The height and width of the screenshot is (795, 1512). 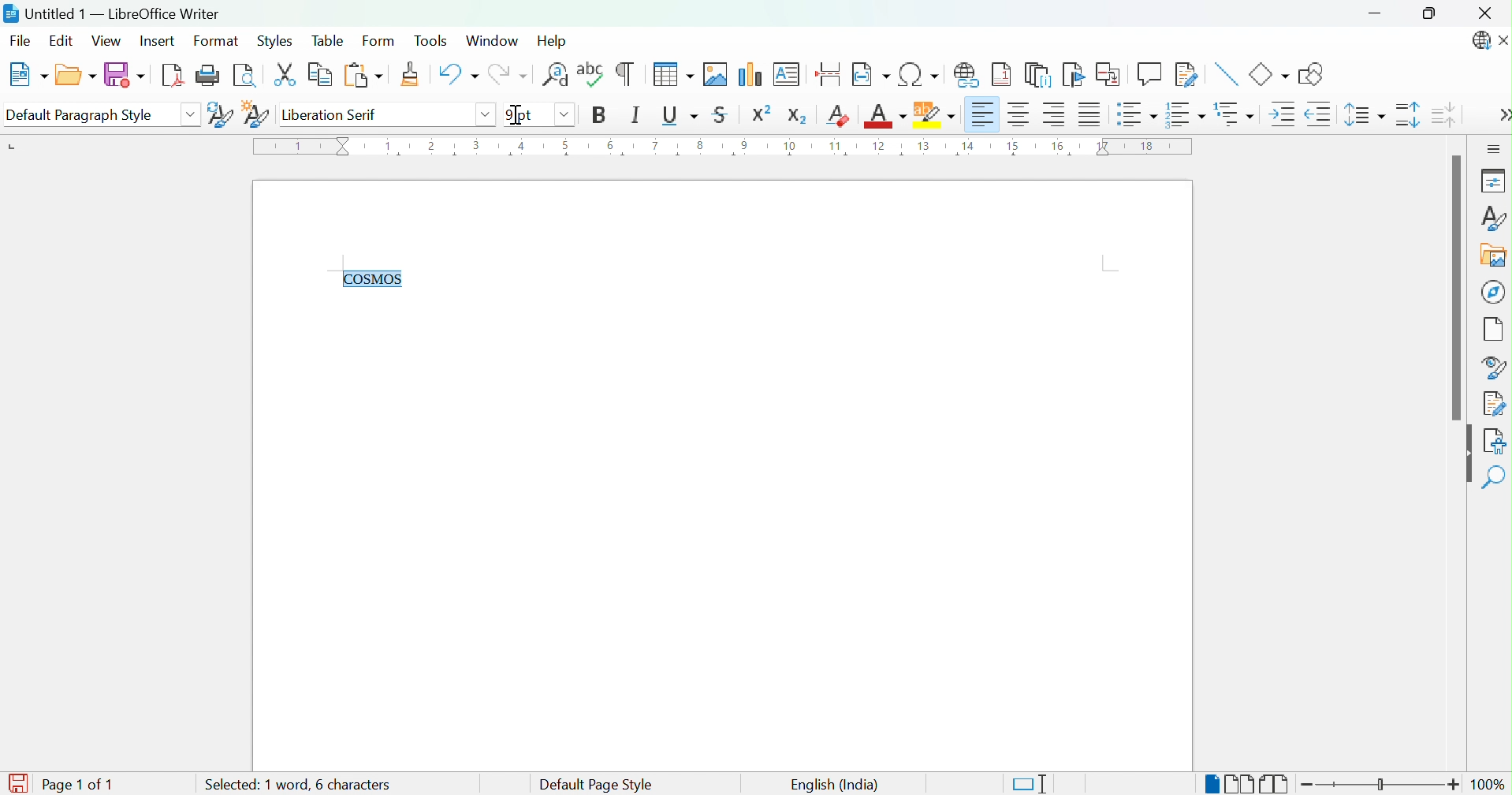 I want to click on Restore down, so click(x=1431, y=15).